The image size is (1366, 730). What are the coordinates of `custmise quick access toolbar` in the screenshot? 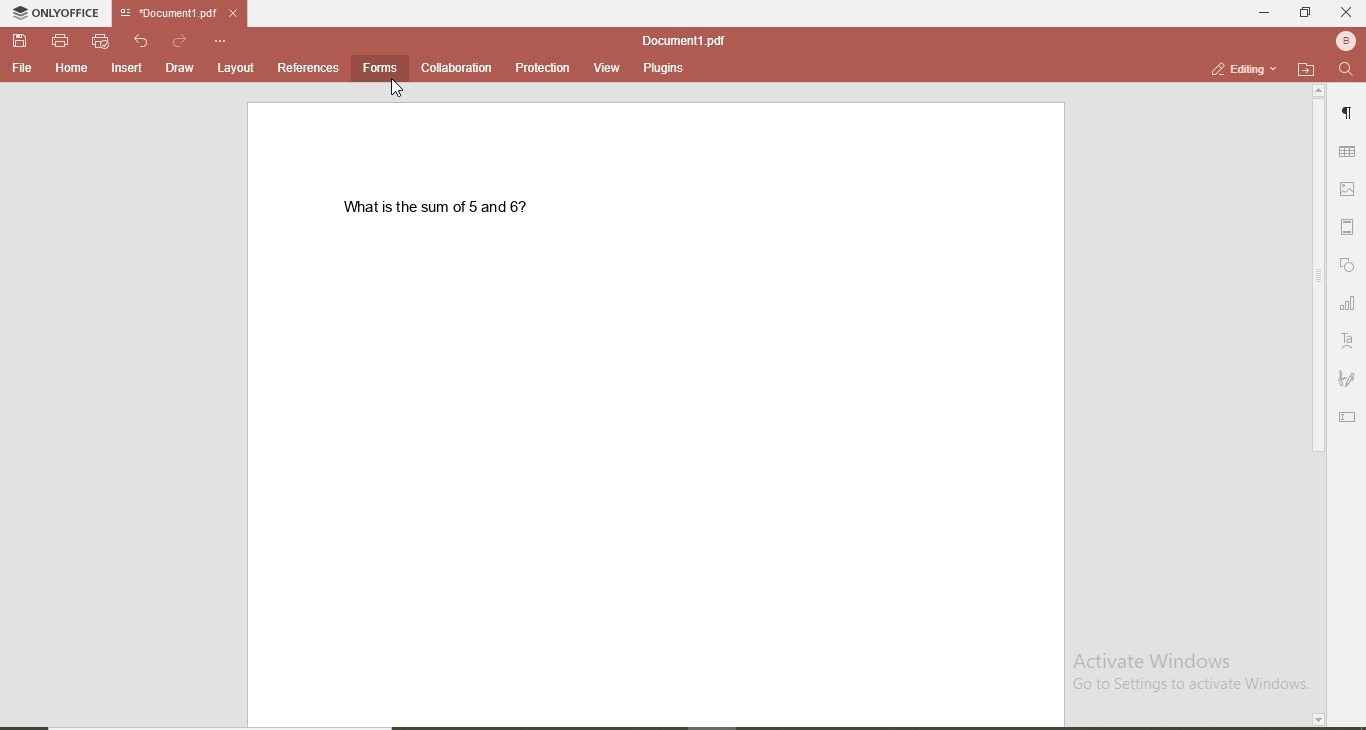 It's located at (220, 40).